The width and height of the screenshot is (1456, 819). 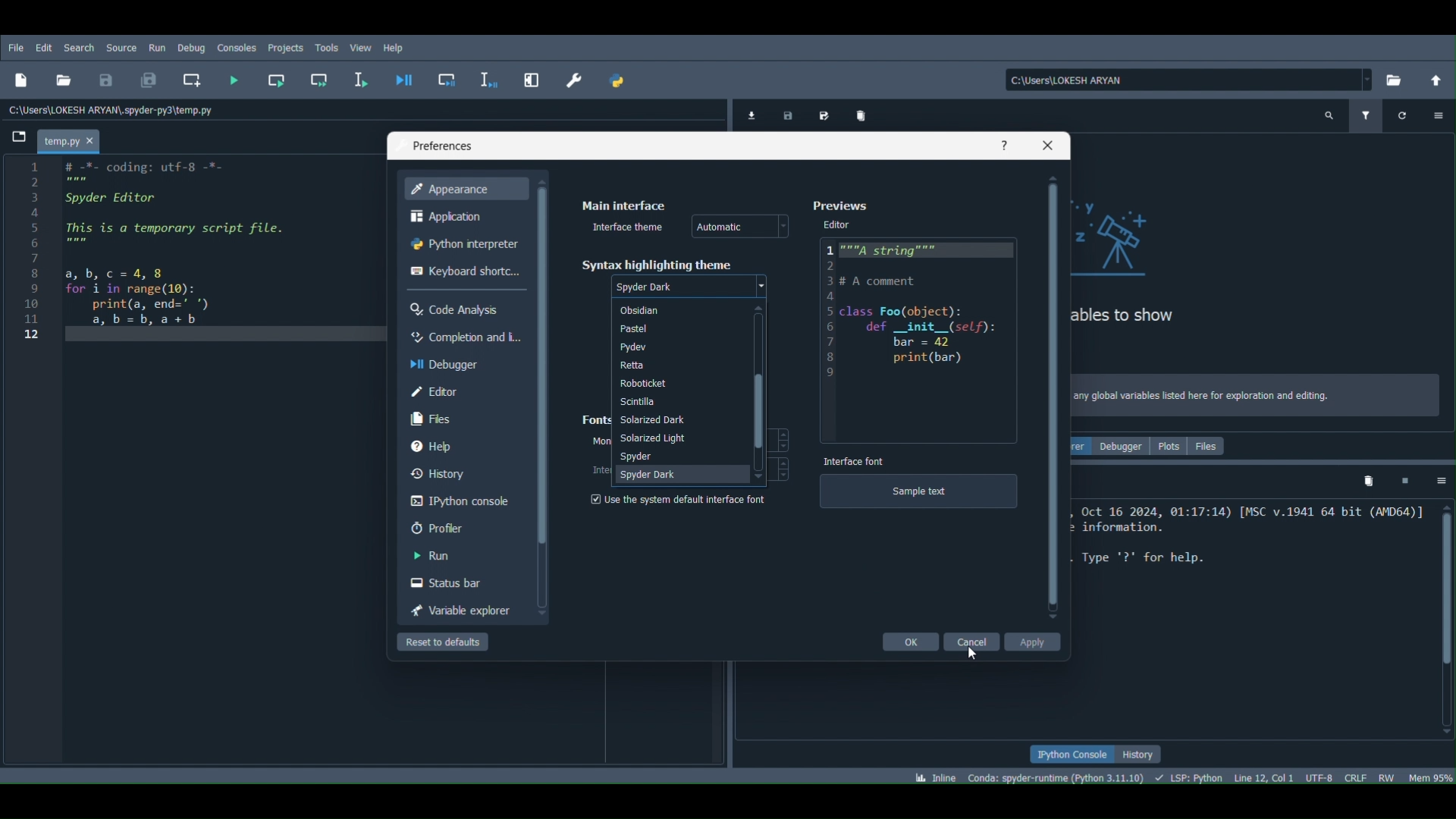 I want to click on Interface font, so click(x=854, y=460).